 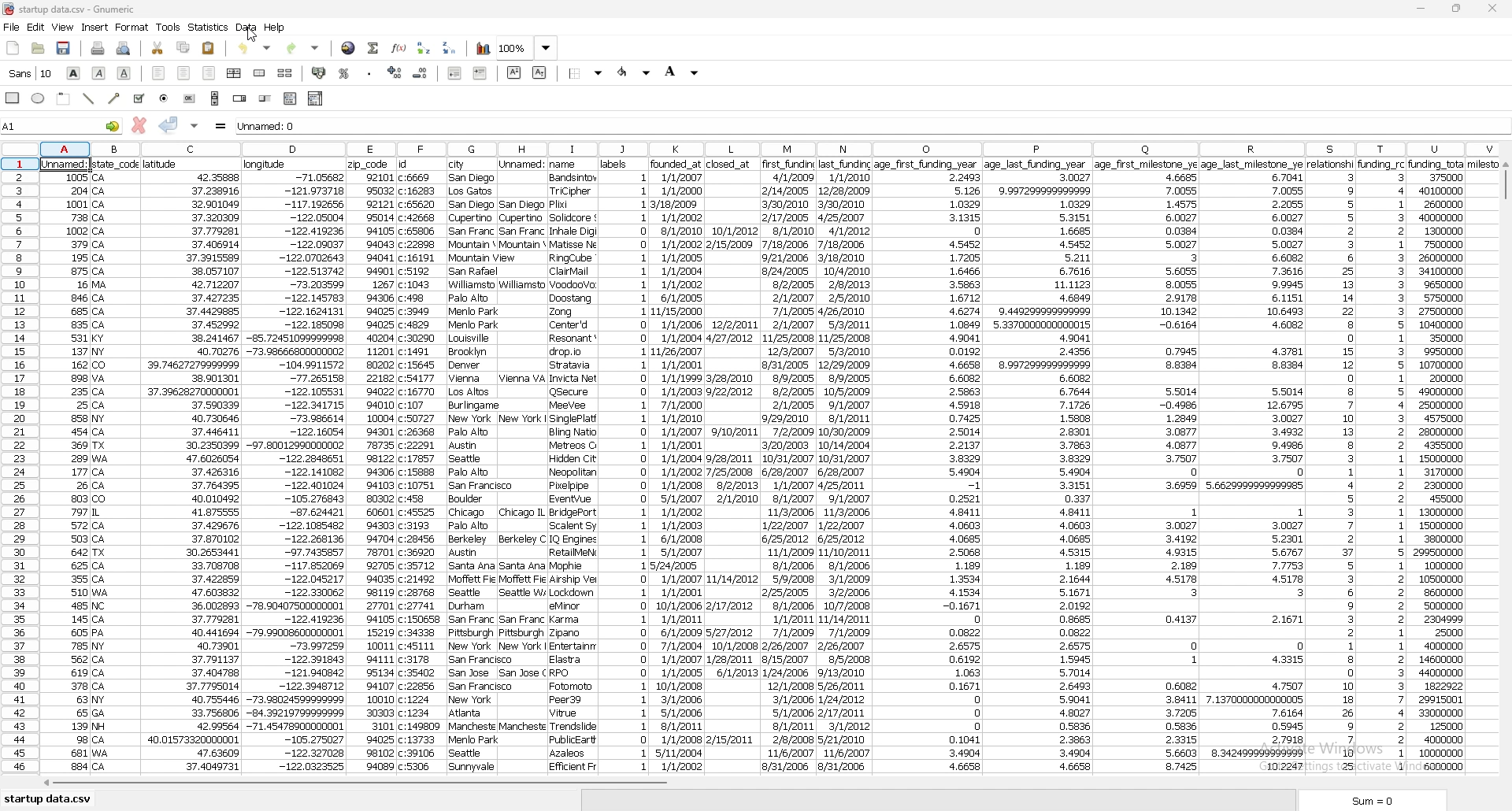 I want to click on daat, so click(x=523, y=465).